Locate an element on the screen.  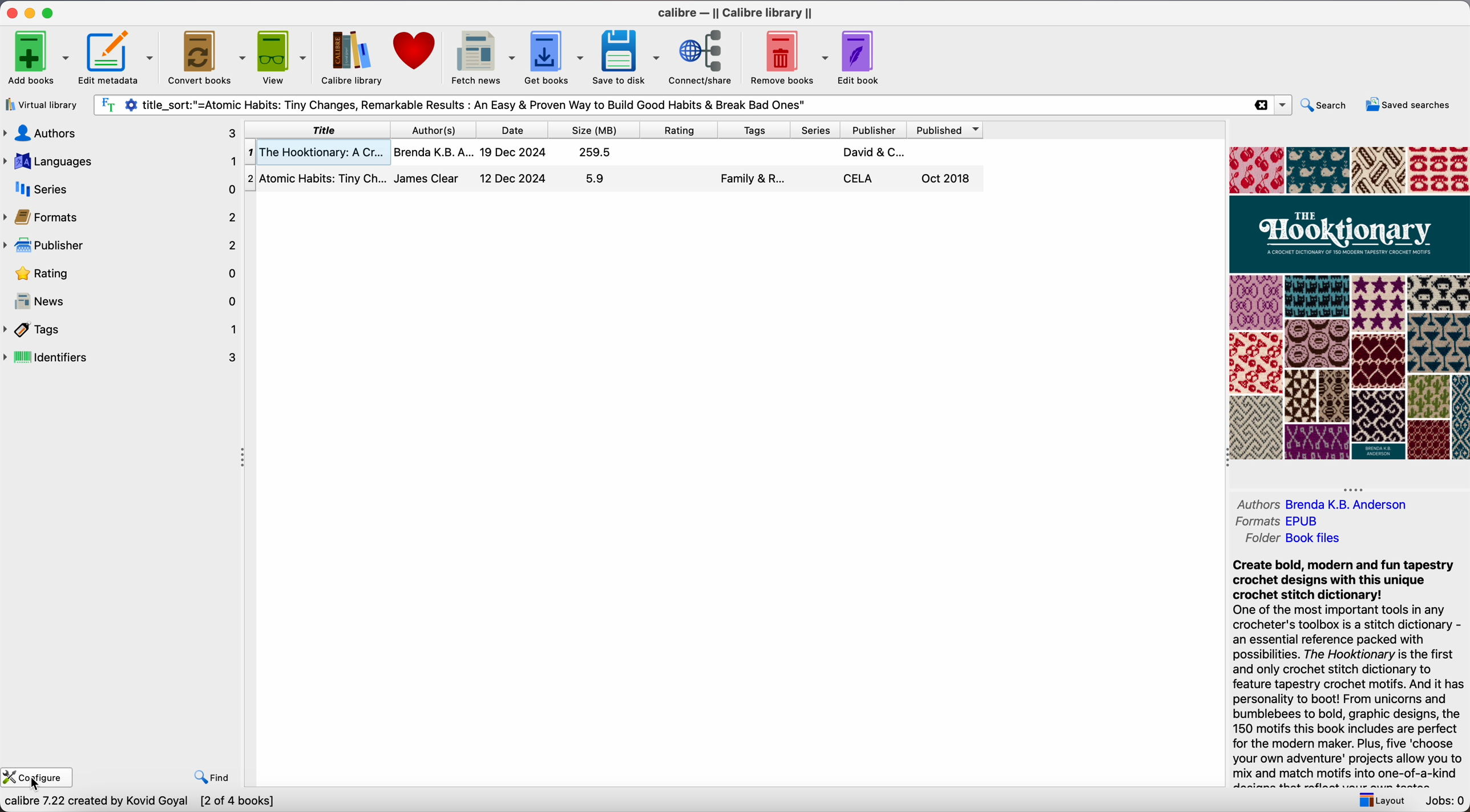
view is located at coordinates (281, 58).